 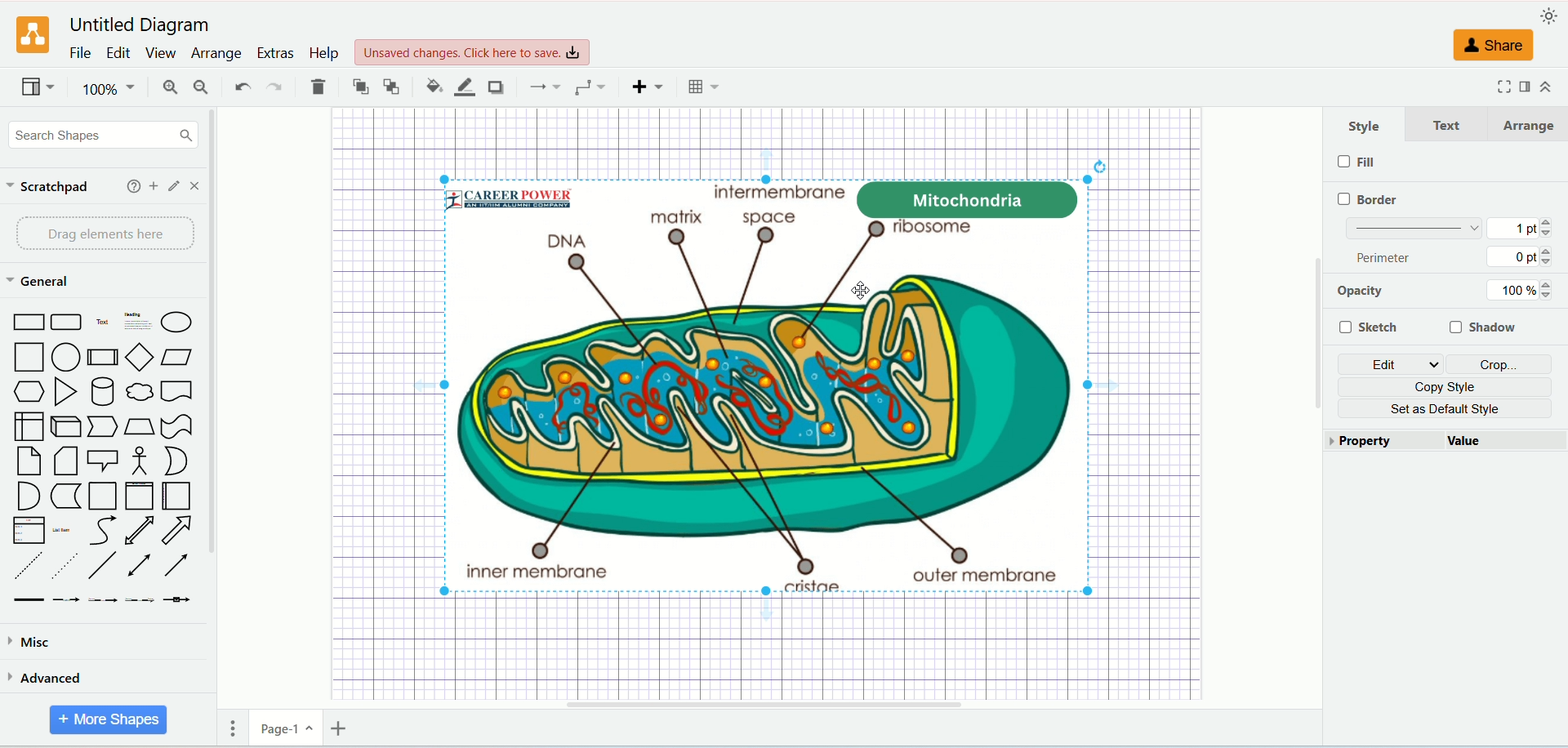 What do you see at coordinates (109, 89) in the screenshot?
I see `100%` at bounding box center [109, 89].